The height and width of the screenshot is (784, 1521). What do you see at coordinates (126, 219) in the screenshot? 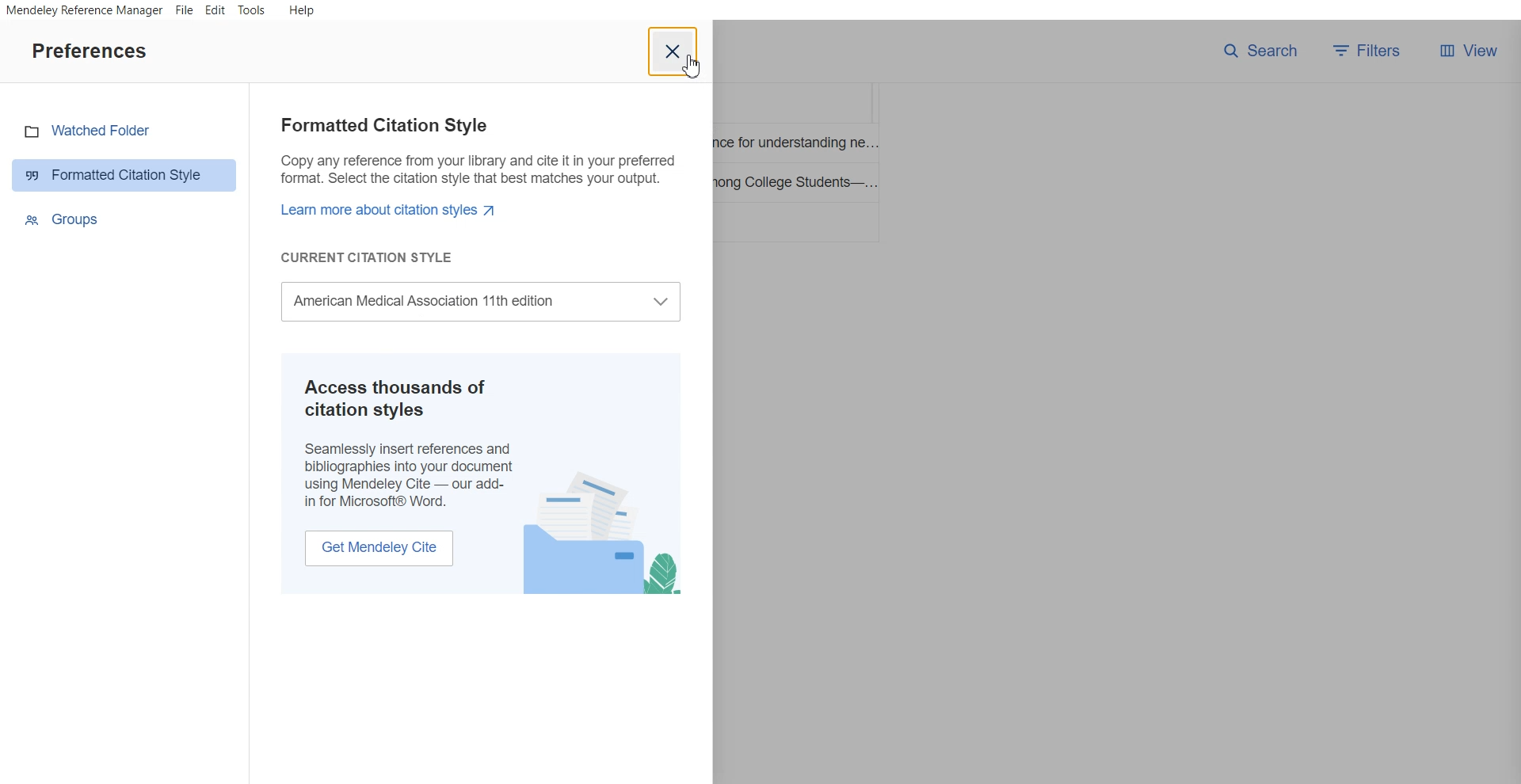
I see `Group` at bounding box center [126, 219].